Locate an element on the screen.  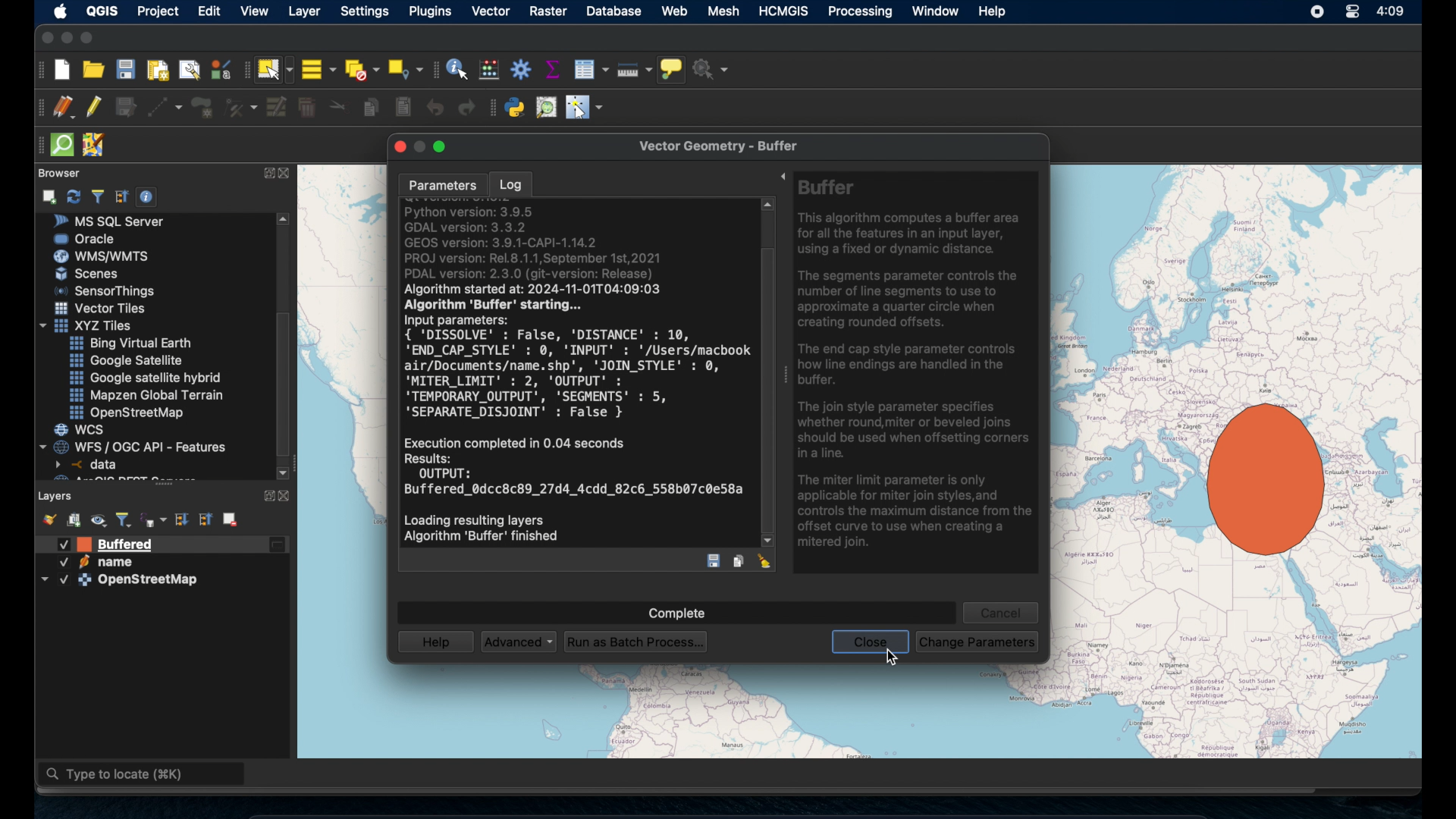
add group is located at coordinates (74, 521).